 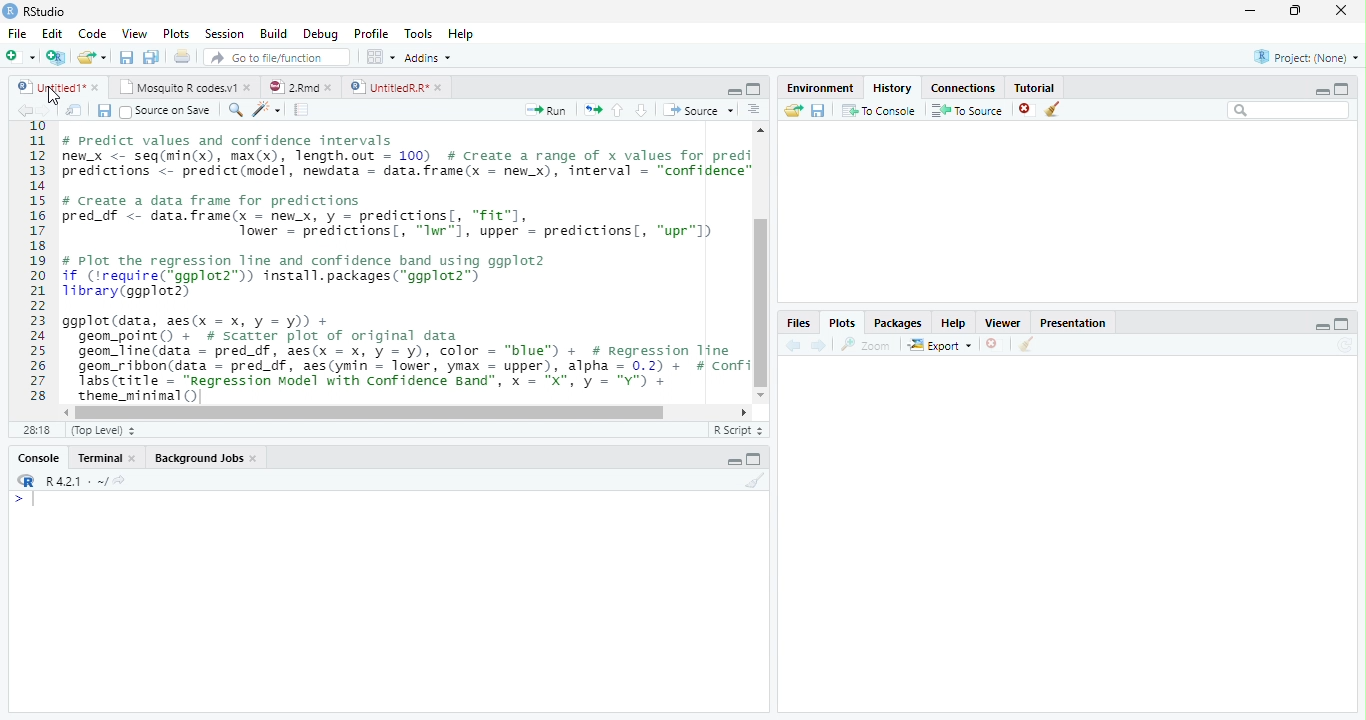 I want to click on Back, so click(x=789, y=346).